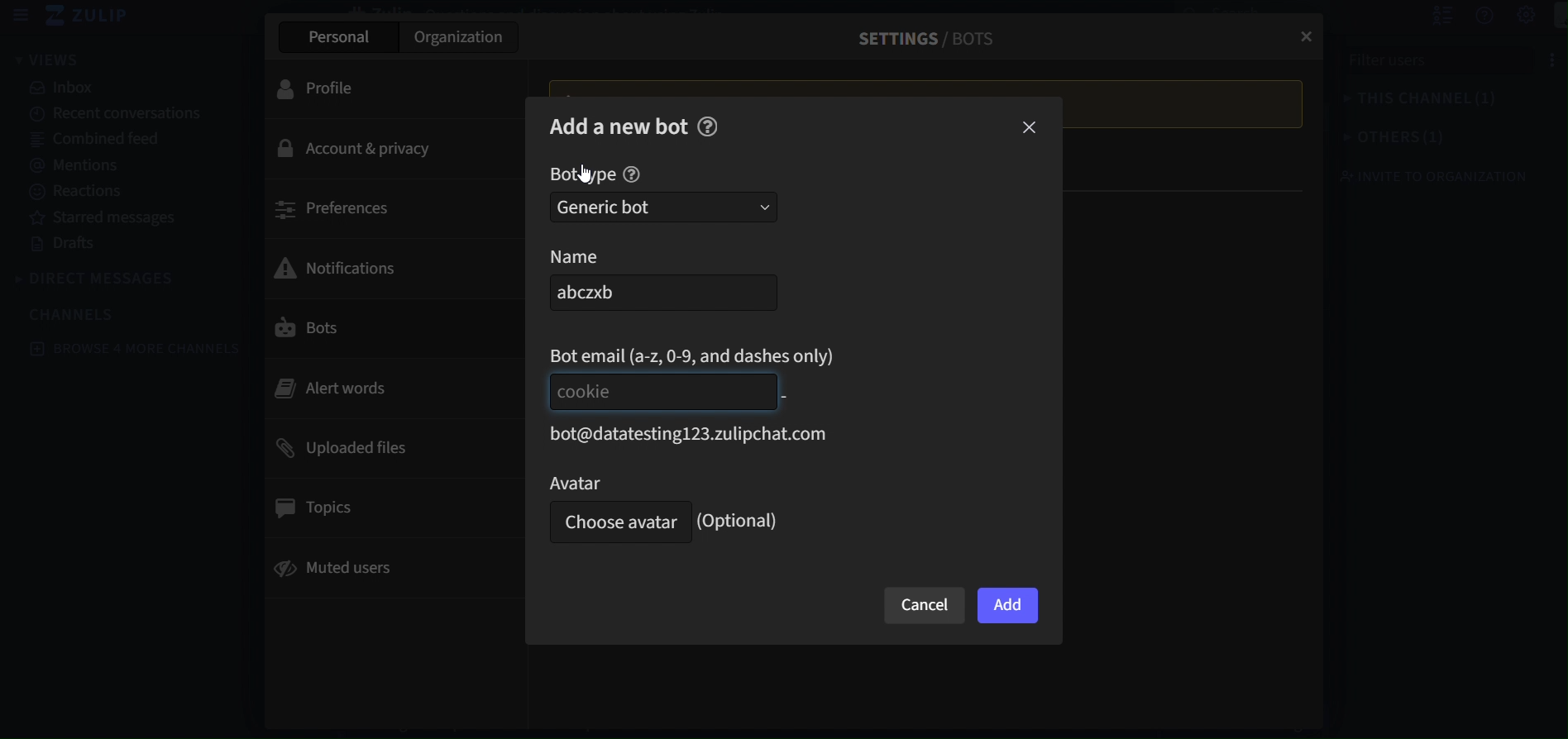  What do you see at coordinates (100, 279) in the screenshot?
I see `direct messages` at bounding box center [100, 279].